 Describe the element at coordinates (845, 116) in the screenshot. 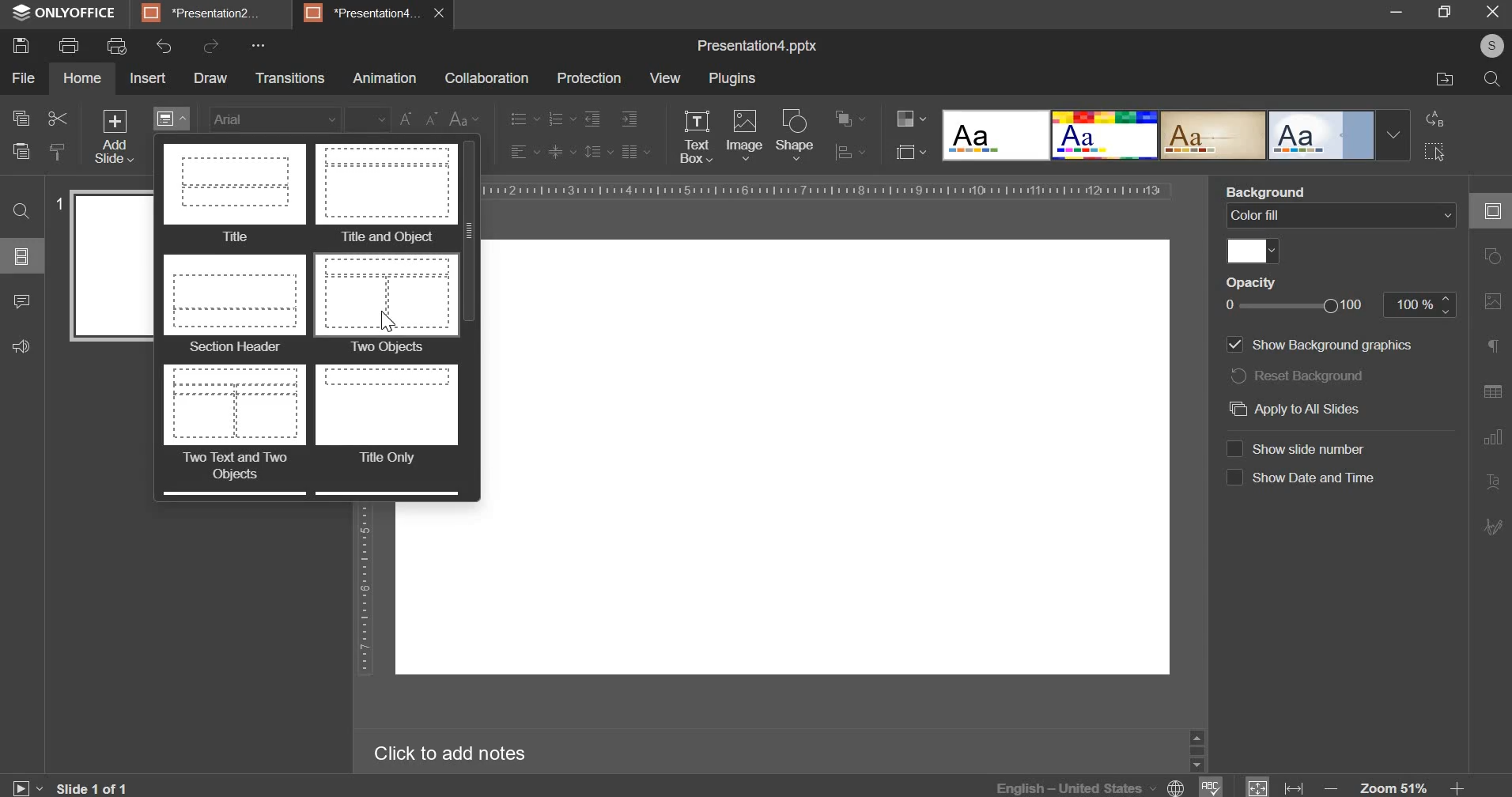

I see `arrangement` at that location.